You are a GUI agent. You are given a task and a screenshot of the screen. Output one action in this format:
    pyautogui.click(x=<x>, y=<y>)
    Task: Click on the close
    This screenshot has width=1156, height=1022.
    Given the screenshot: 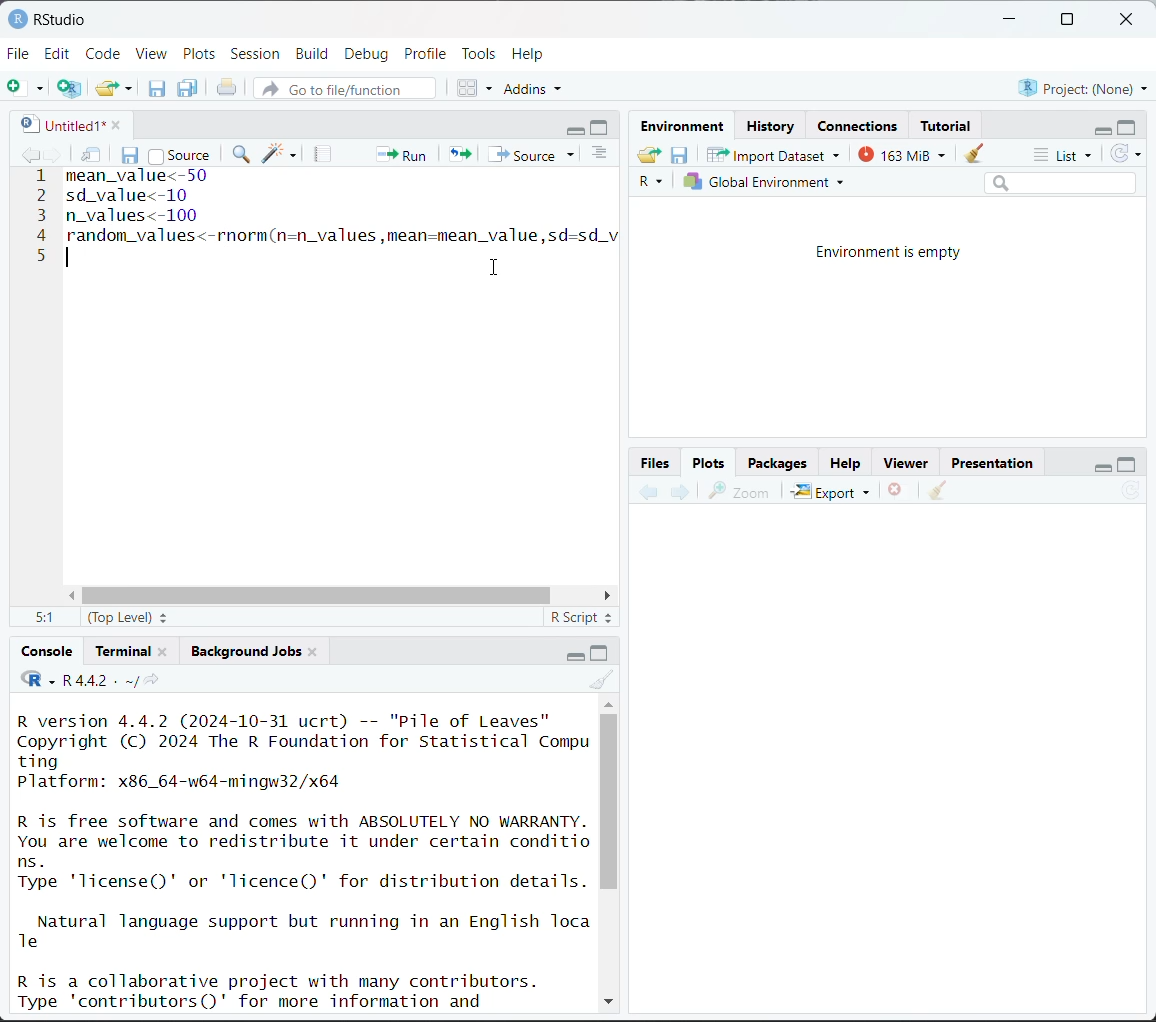 What is the action you would take?
    pyautogui.click(x=1130, y=20)
    